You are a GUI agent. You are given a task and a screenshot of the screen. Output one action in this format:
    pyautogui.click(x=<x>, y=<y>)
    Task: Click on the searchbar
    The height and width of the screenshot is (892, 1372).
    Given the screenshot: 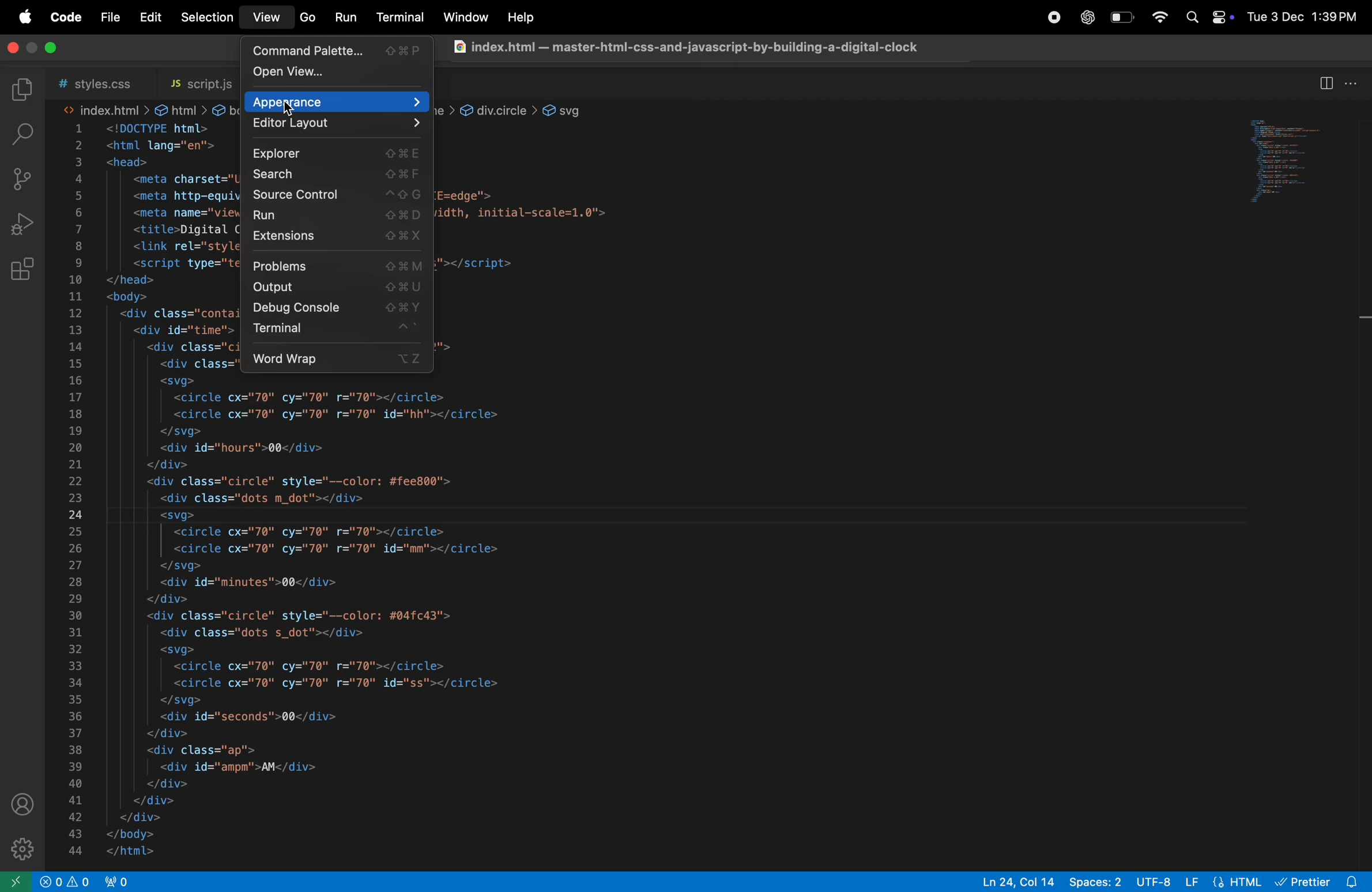 What is the action you would take?
    pyautogui.click(x=20, y=133)
    